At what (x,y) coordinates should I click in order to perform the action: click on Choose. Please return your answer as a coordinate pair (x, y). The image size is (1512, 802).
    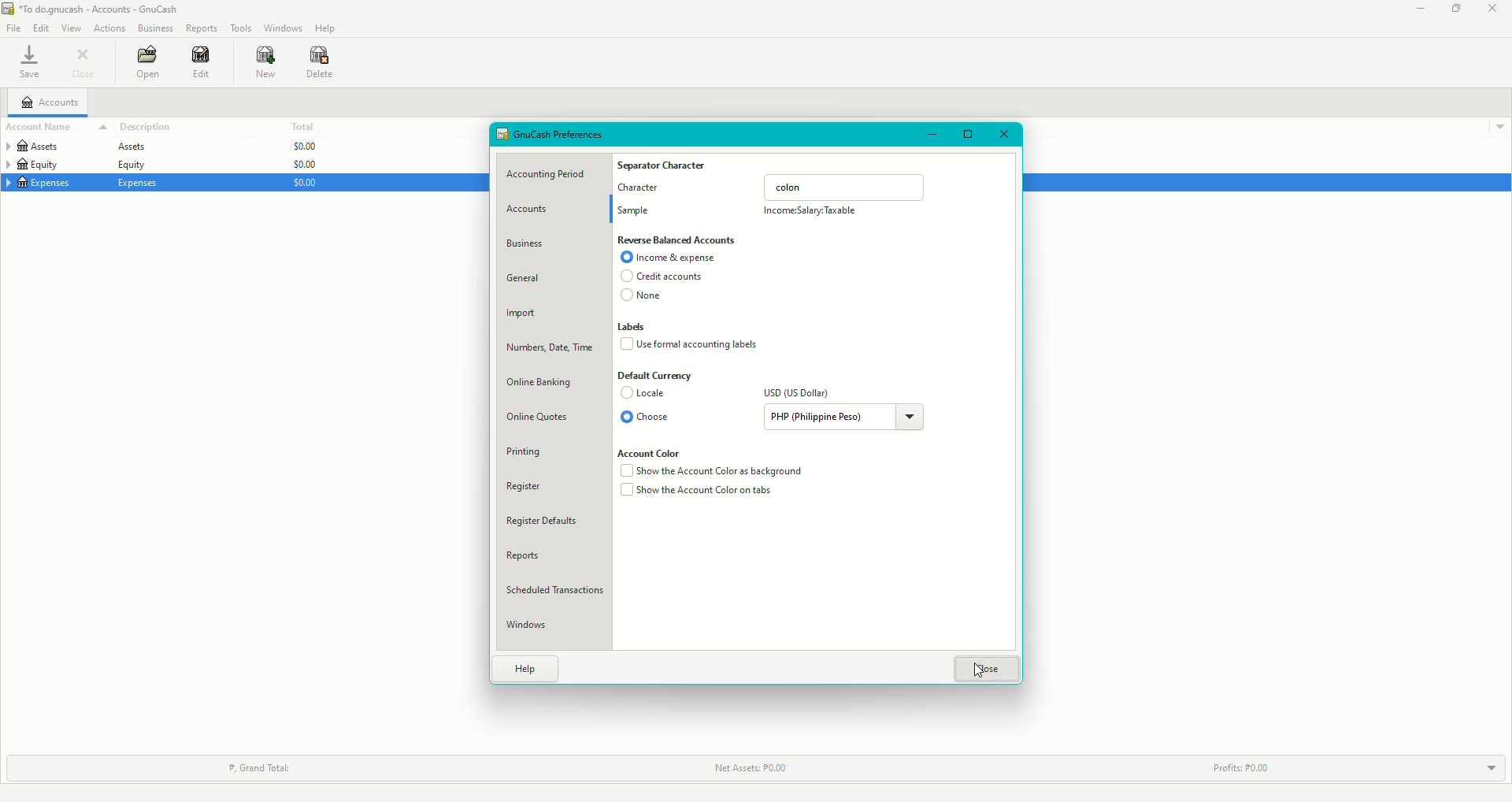
    Looking at the image, I should click on (647, 418).